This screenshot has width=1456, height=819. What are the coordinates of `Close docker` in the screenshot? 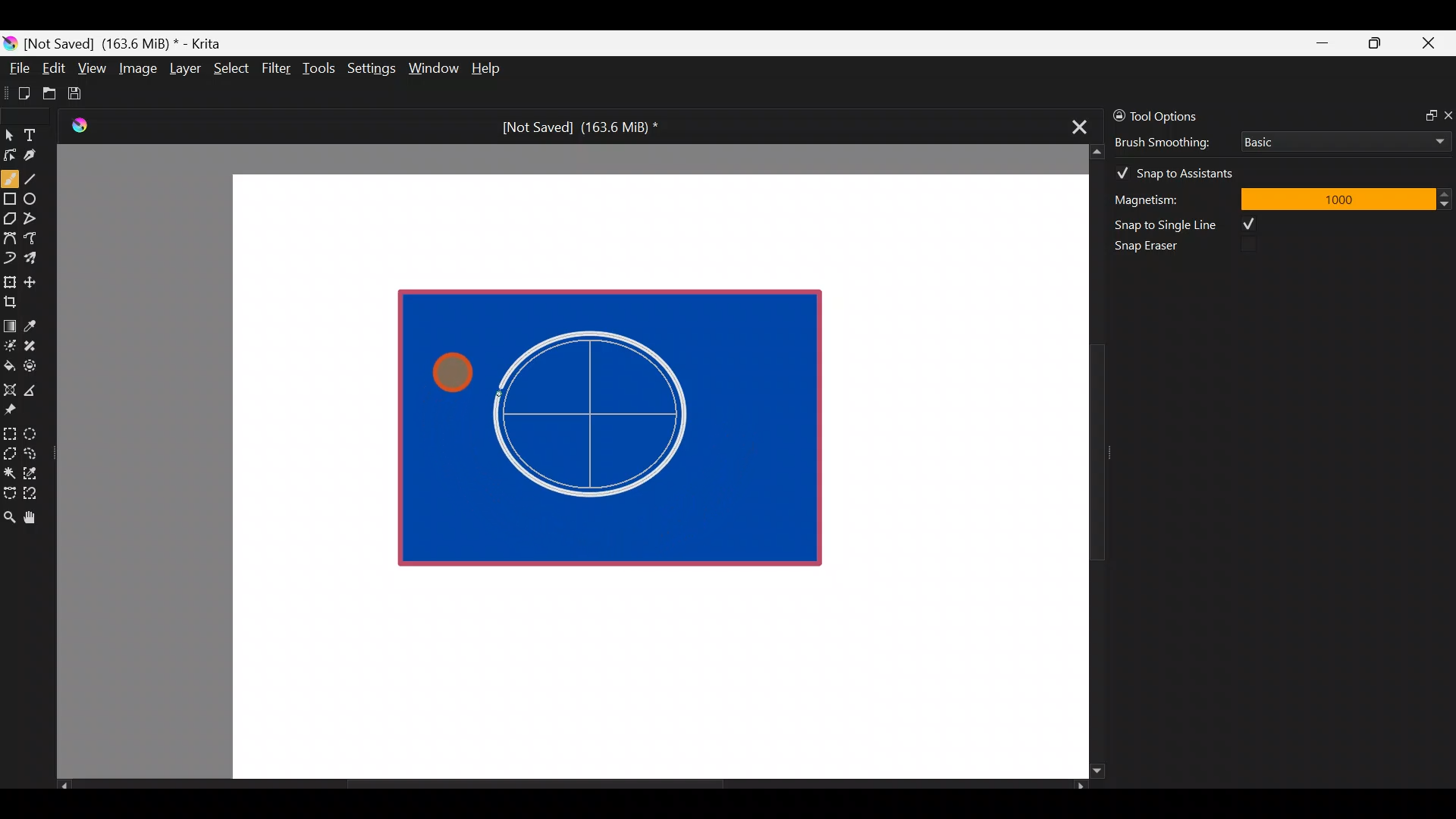 It's located at (1447, 115).